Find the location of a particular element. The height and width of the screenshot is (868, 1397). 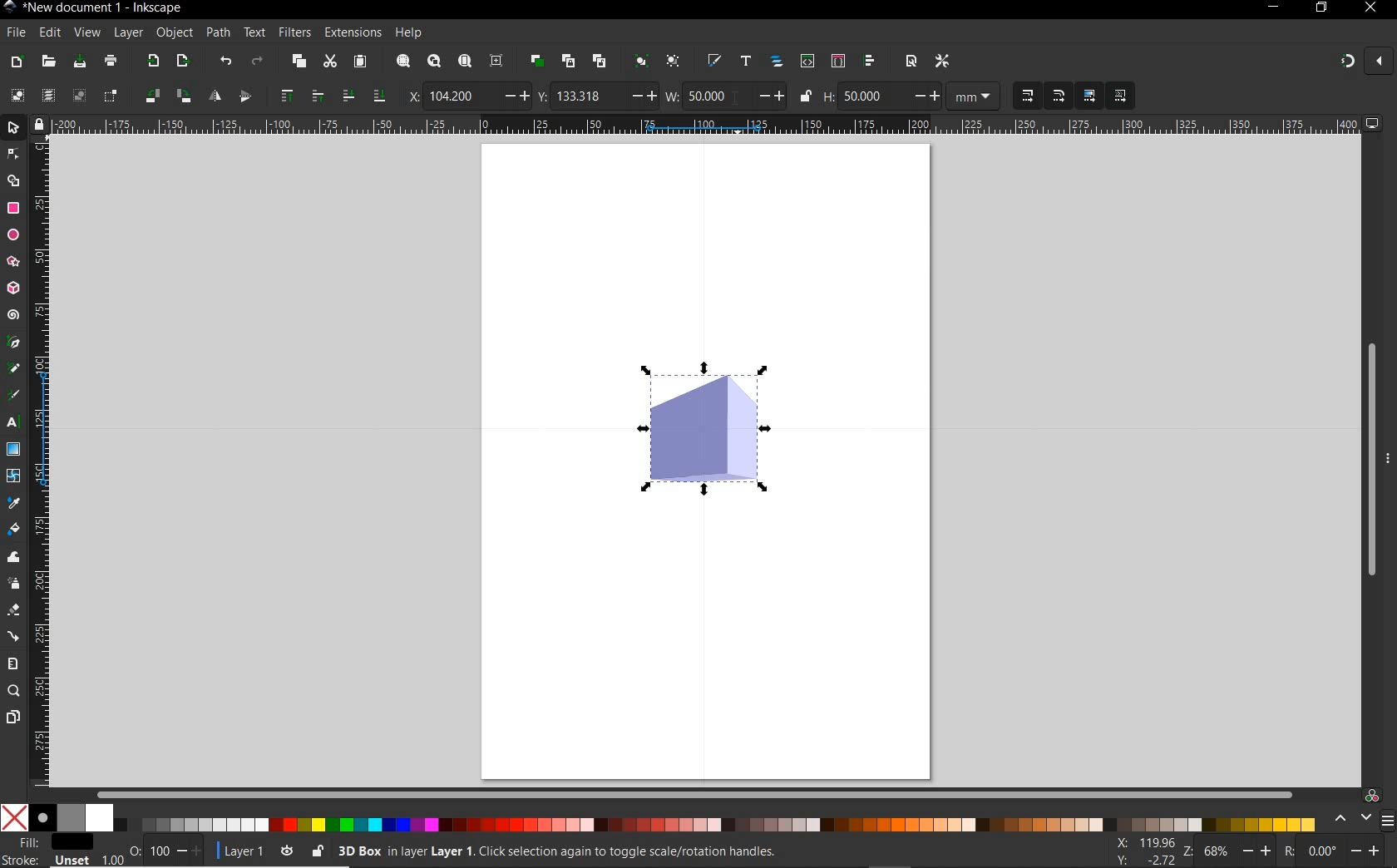

help is located at coordinates (410, 32).